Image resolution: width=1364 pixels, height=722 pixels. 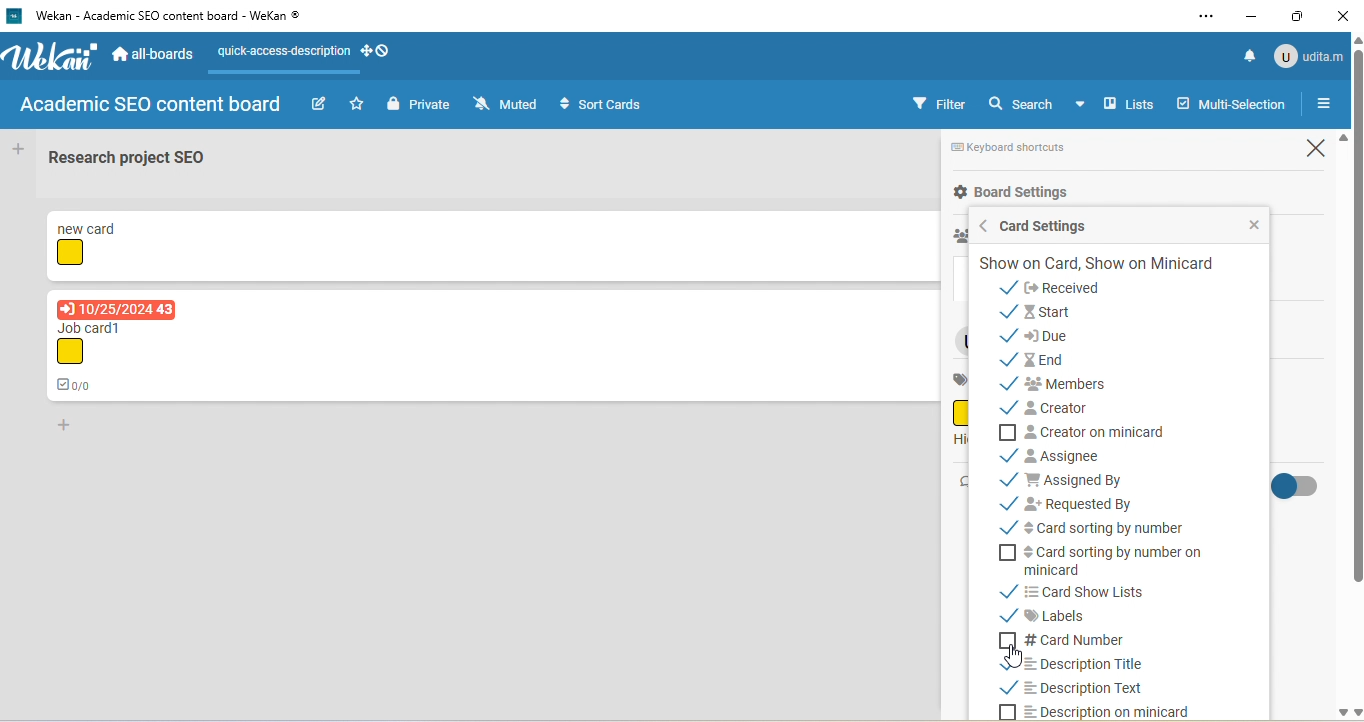 What do you see at coordinates (939, 103) in the screenshot?
I see `filter` at bounding box center [939, 103].